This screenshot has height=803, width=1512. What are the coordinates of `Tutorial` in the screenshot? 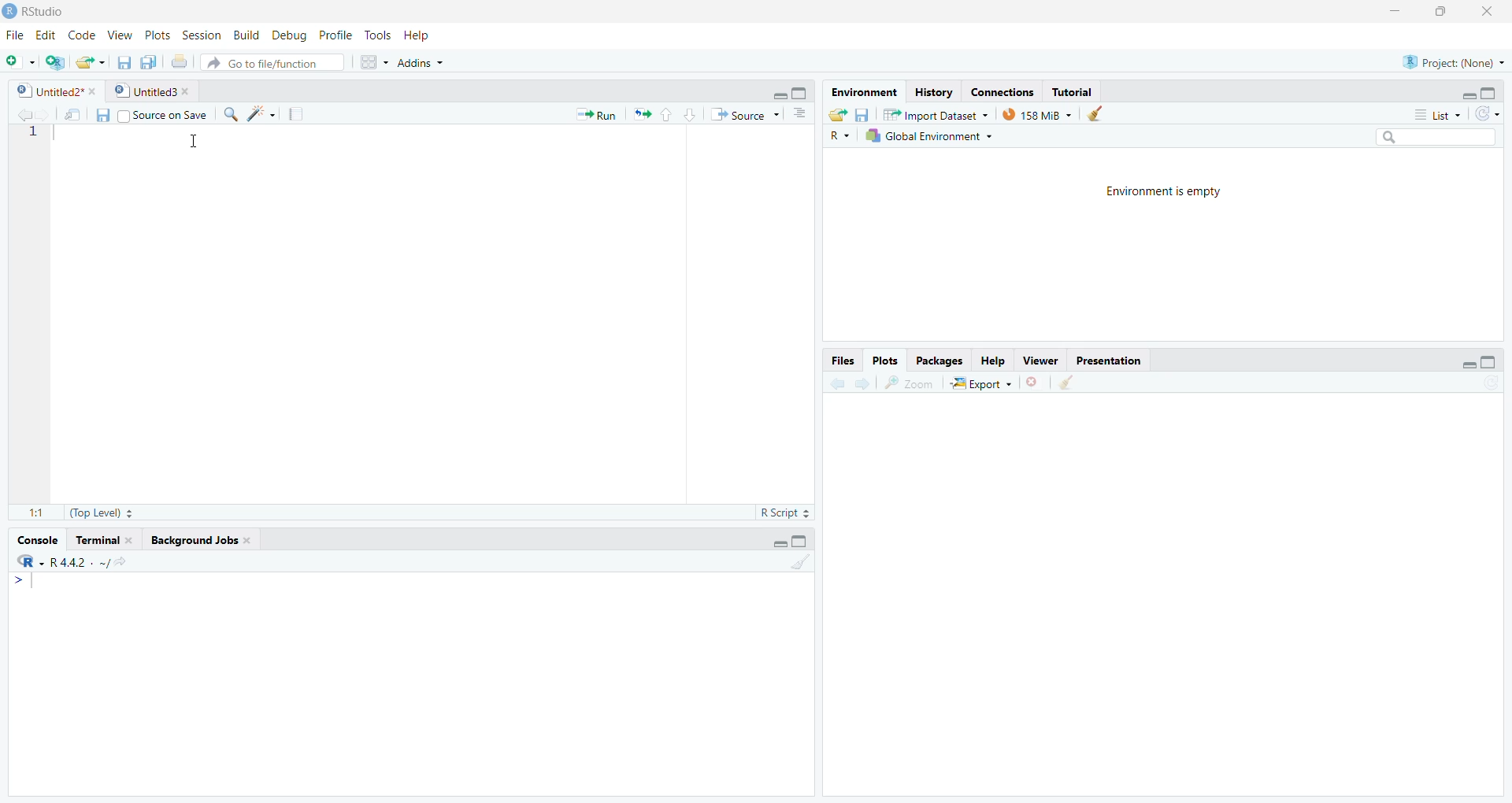 It's located at (1074, 91).